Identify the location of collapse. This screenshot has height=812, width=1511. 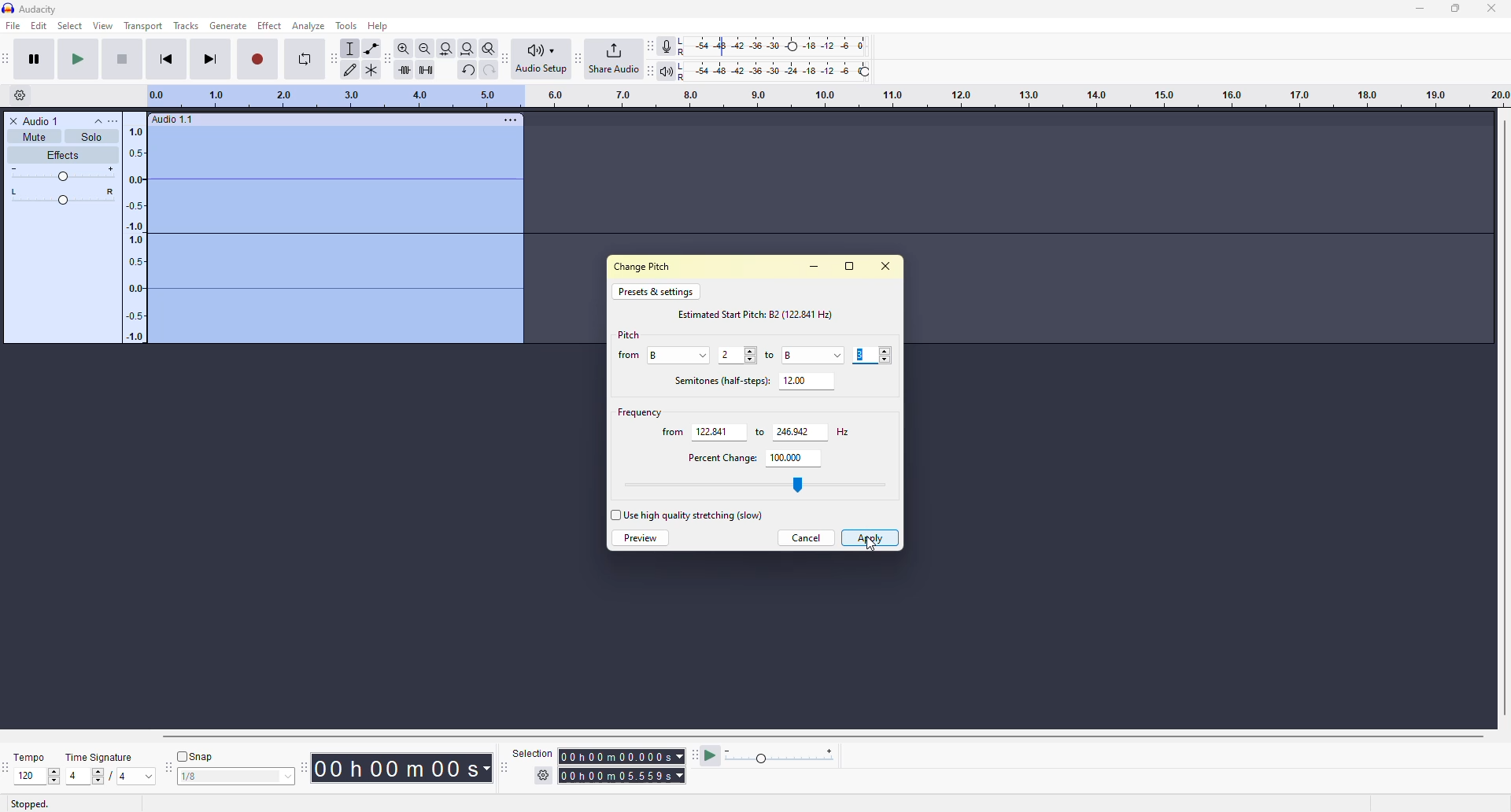
(98, 120).